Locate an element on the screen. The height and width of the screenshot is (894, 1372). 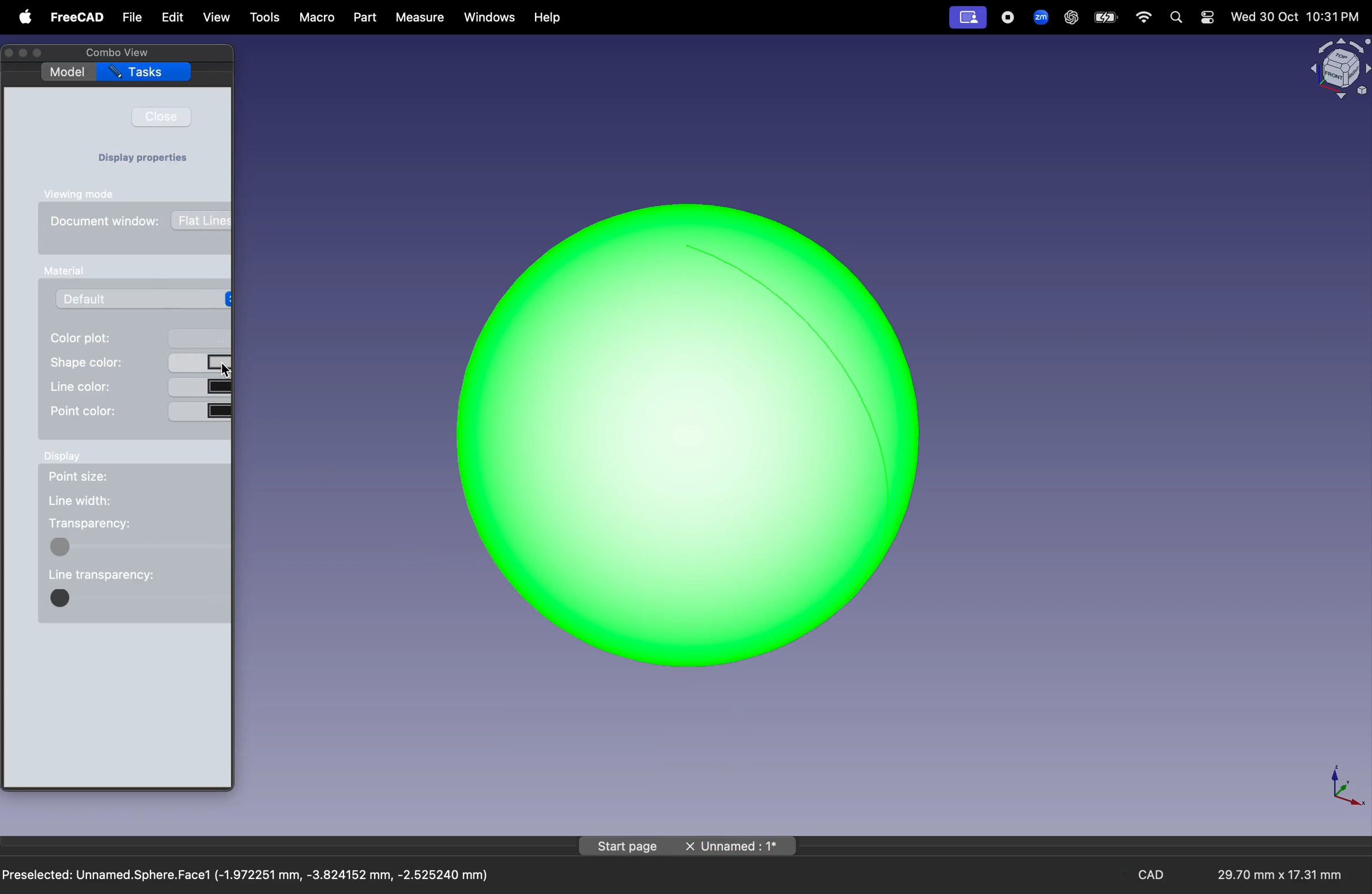
viewing mode is located at coordinates (84, 194).